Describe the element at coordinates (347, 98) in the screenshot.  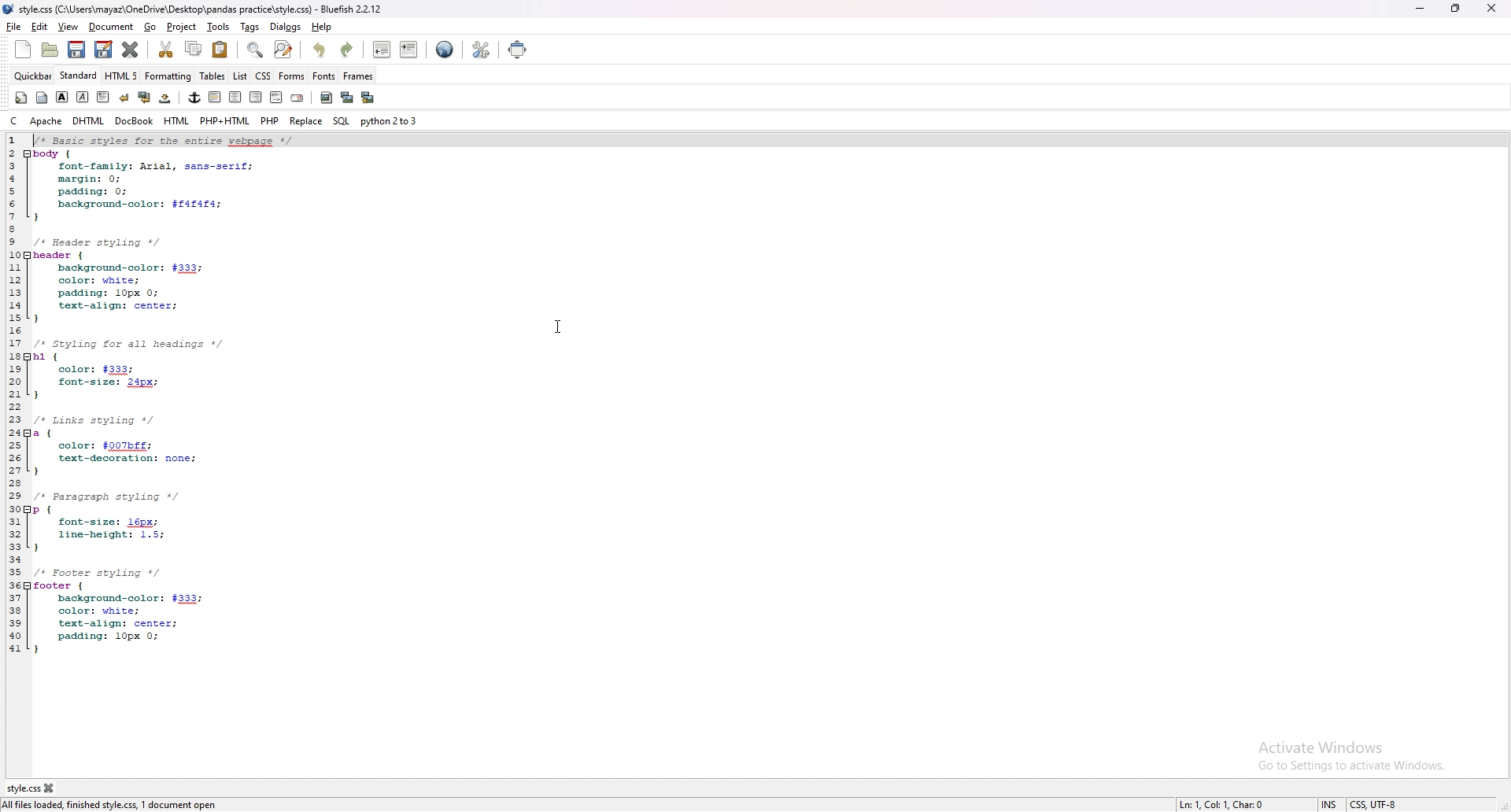
I see `insert thumbnail` at that location.